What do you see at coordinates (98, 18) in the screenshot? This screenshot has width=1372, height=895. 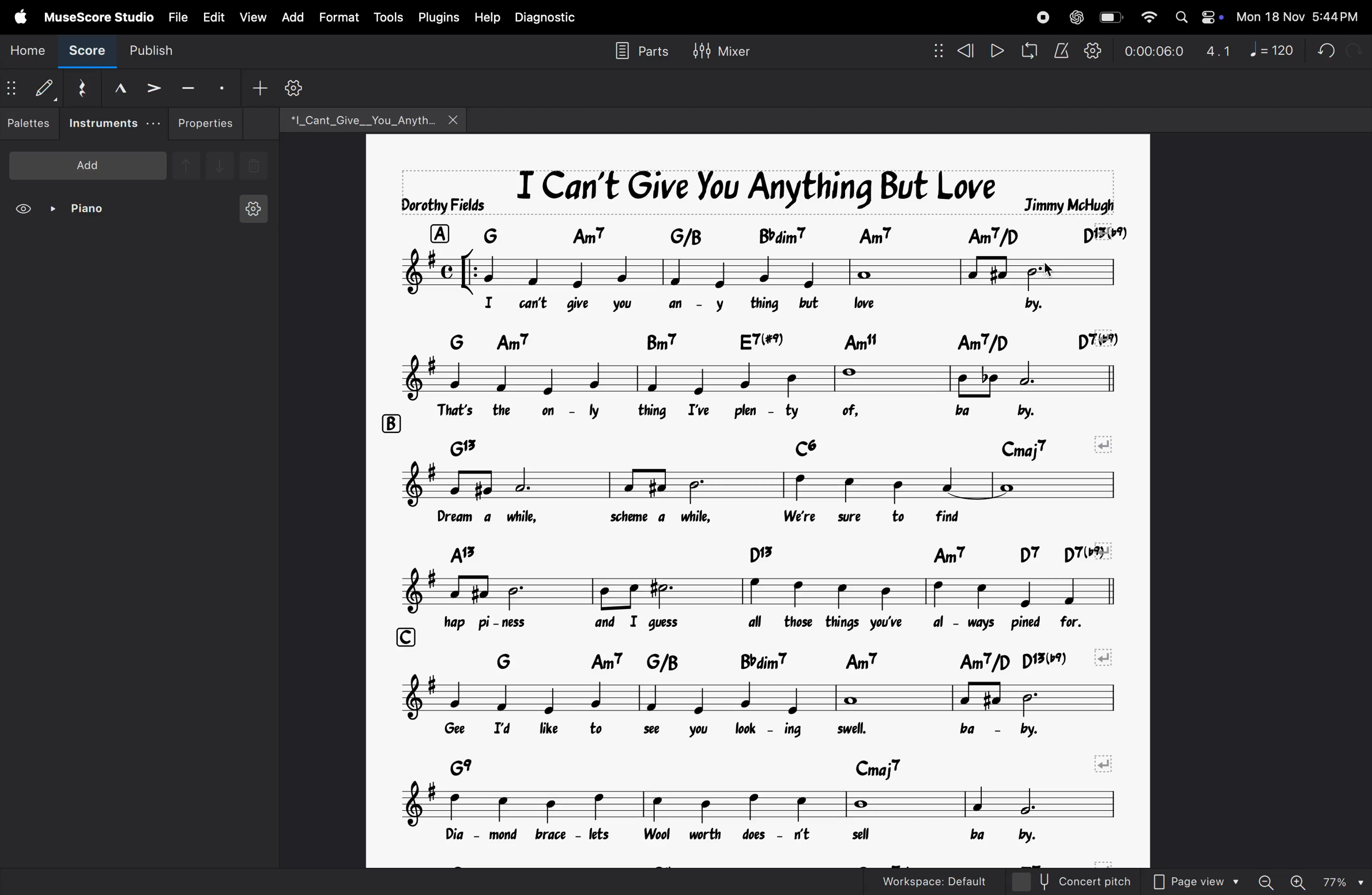 I see `musescore studio` at bounding box center [98, 18].